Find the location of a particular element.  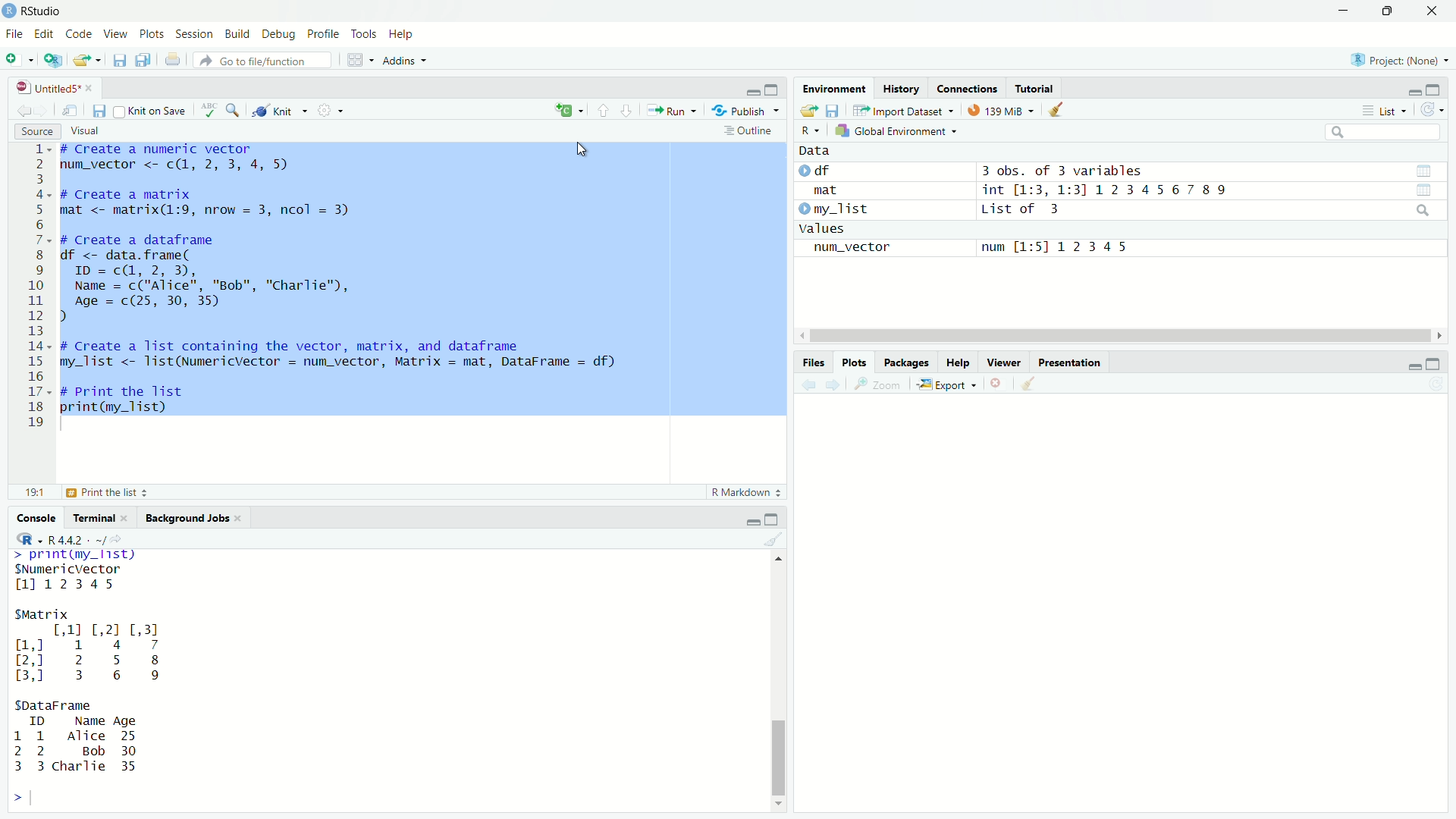

view is located at coordinates (1414, 170).